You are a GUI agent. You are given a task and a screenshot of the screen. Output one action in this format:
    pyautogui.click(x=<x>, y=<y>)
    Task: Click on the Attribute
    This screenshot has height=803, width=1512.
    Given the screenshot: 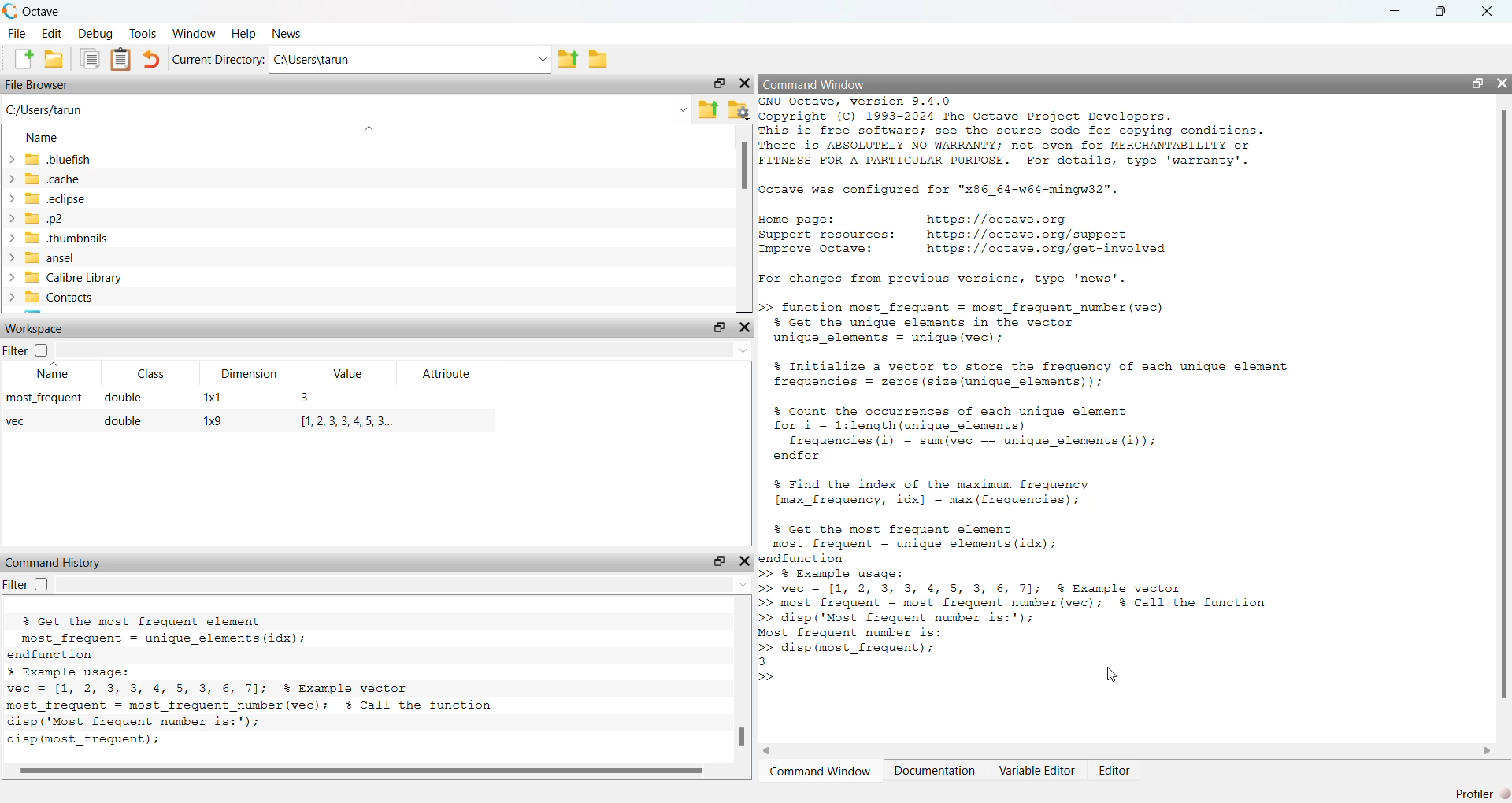 What is the action you would take?
    pyautogui.click(x=444, y=373)
    